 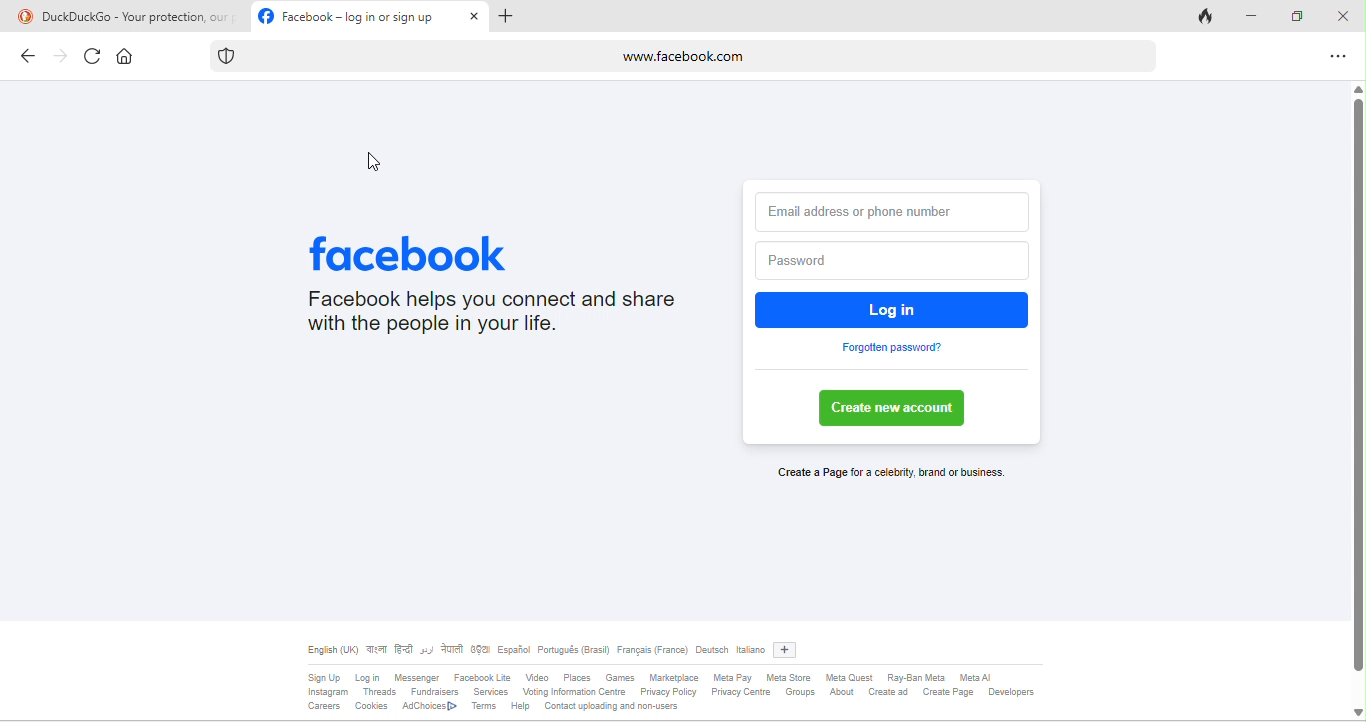 What do you see at coordinates (373, 160) in the screenshot?
I see `cursor` at bounding box center [373, 160].